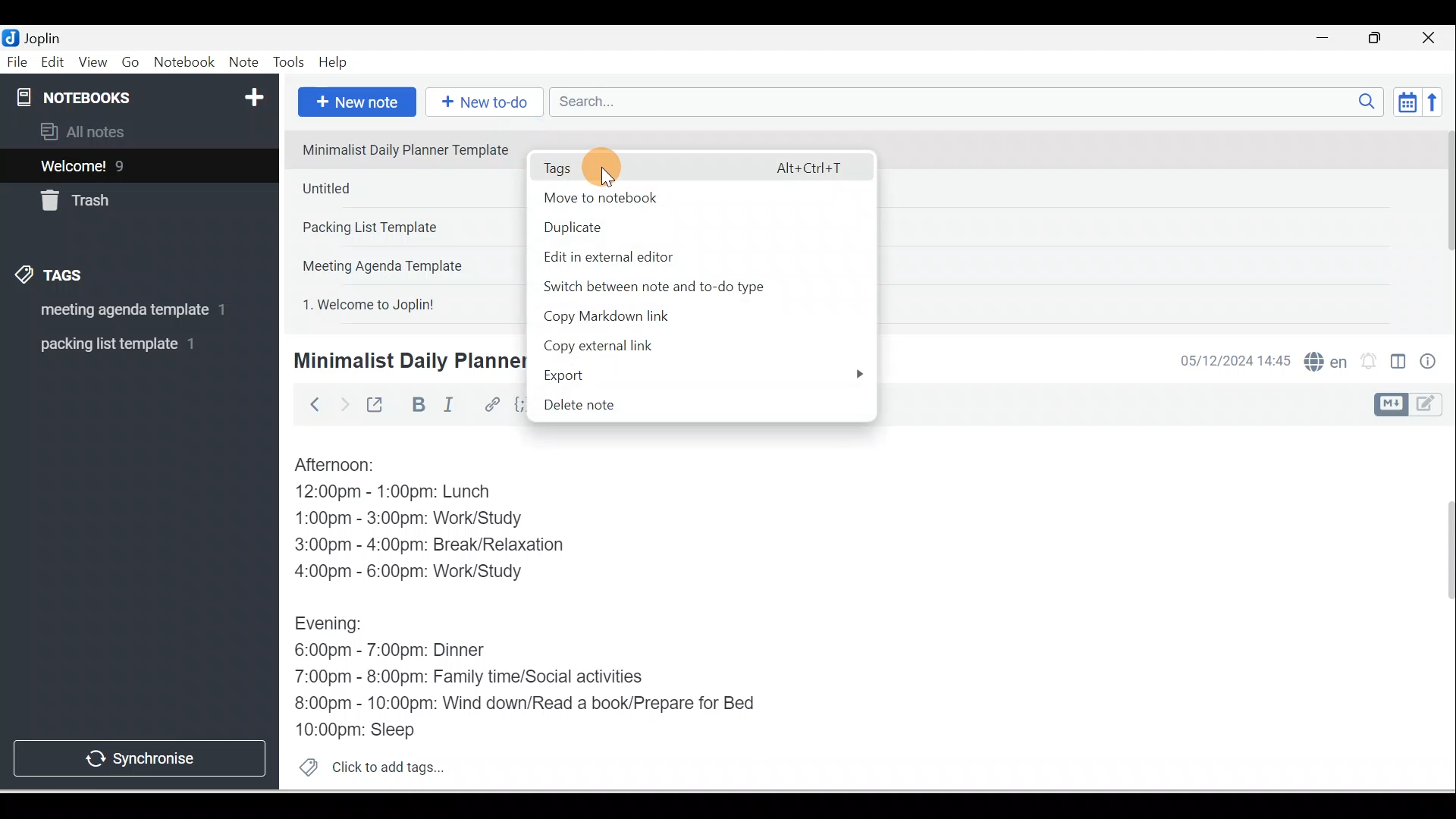 The image size is (1456, 819). Describe the element at coordinates (138, 755) in the screenshot. I see `Synchronise` at that location.